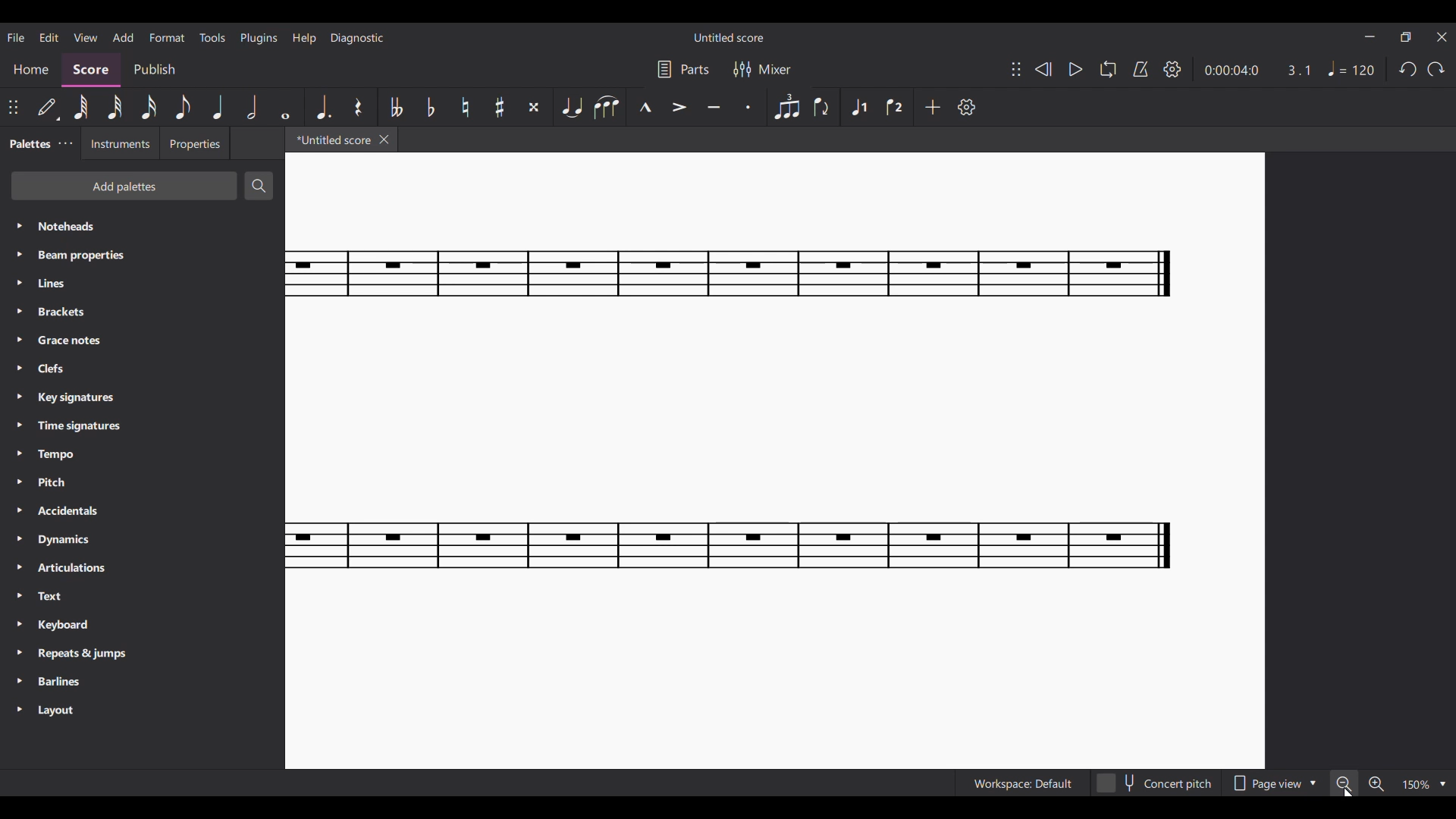 The height and width of the screenshot is (819, 1456). Describe the element at coordinates (1076, 69) in the screenshot. I see `Play` at that location.